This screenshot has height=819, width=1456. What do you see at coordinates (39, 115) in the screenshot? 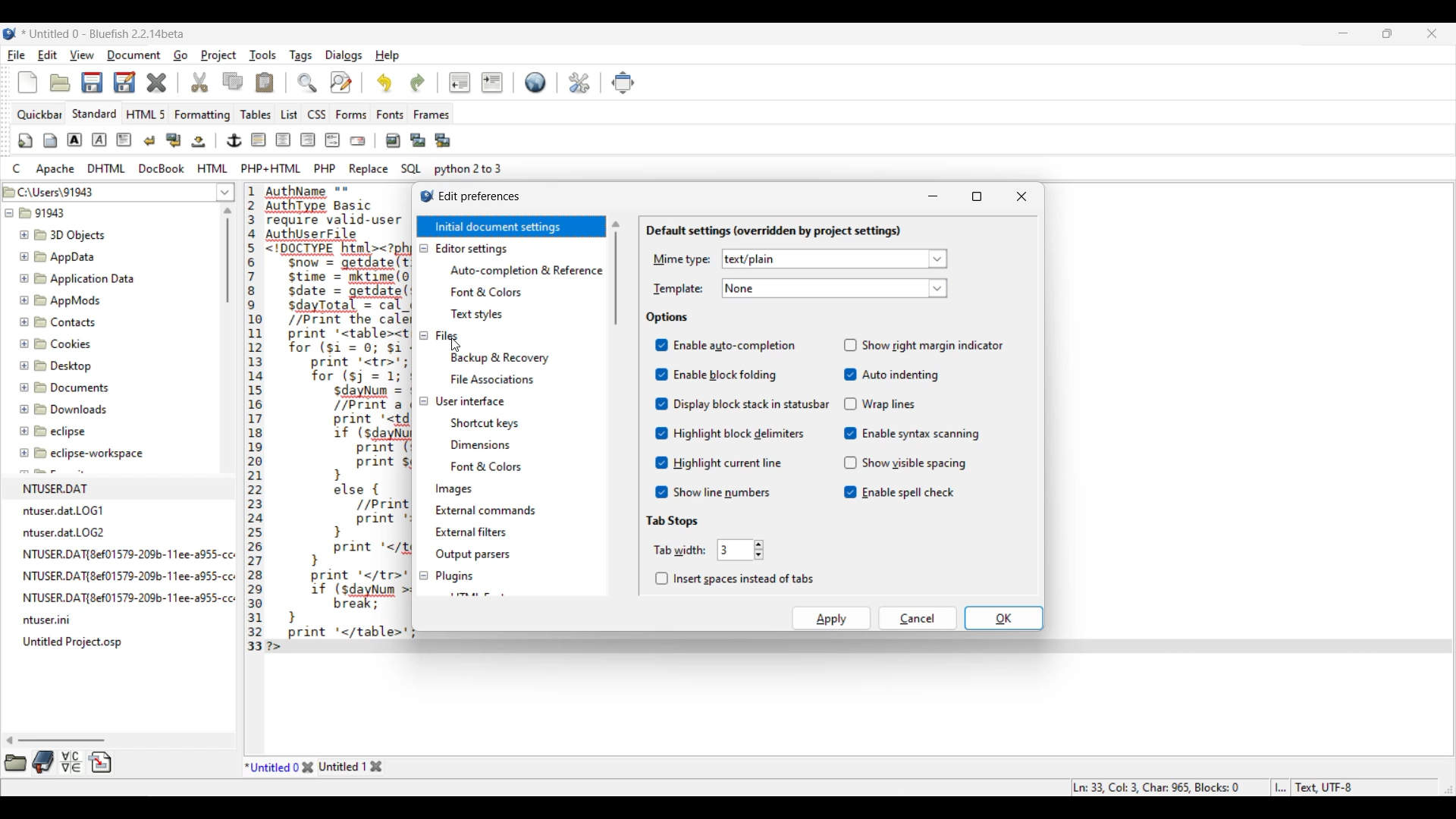
I see `Quickbar` at bounding box center [39, 115].